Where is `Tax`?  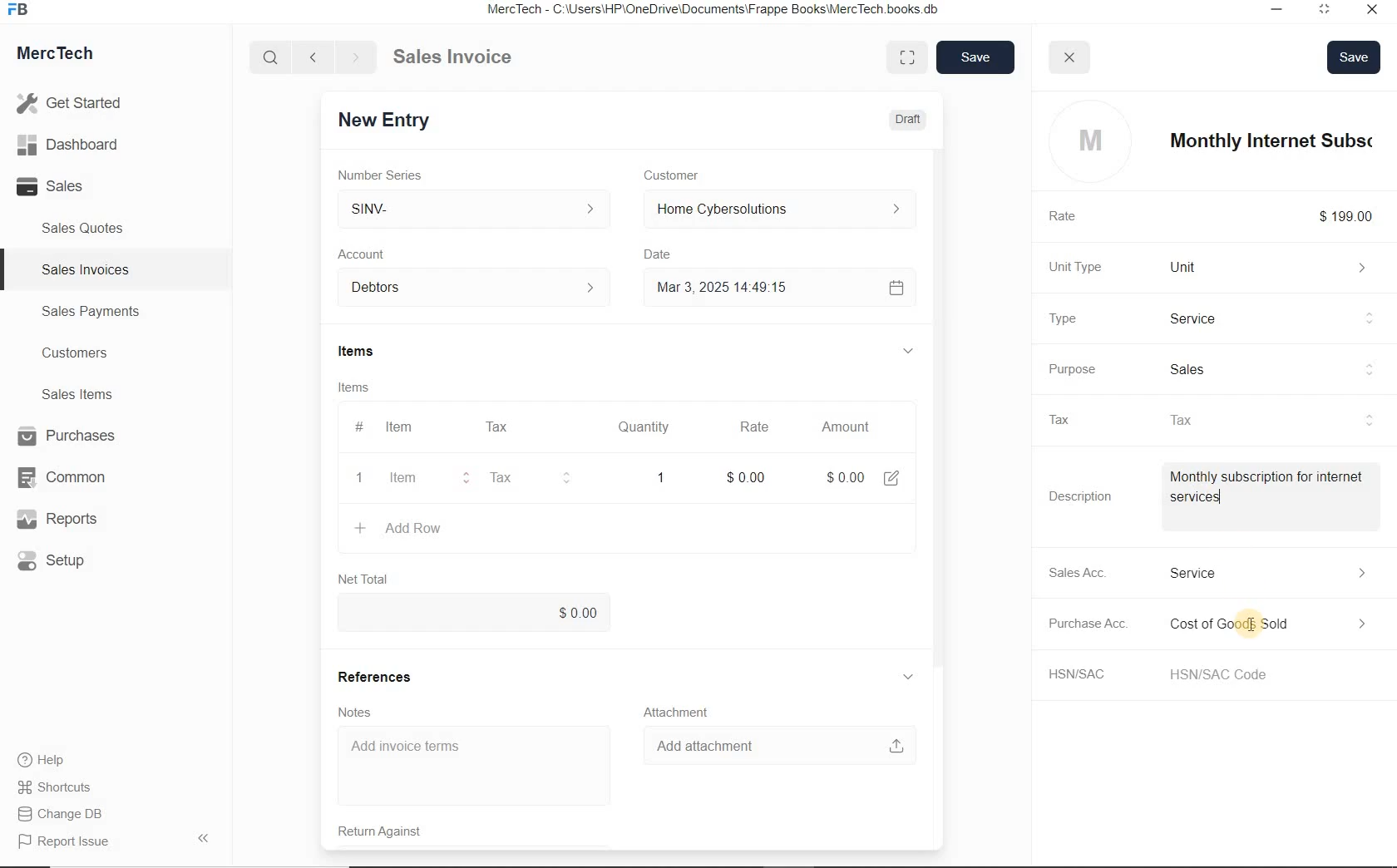
Tax is located at coordinates (496, 427).